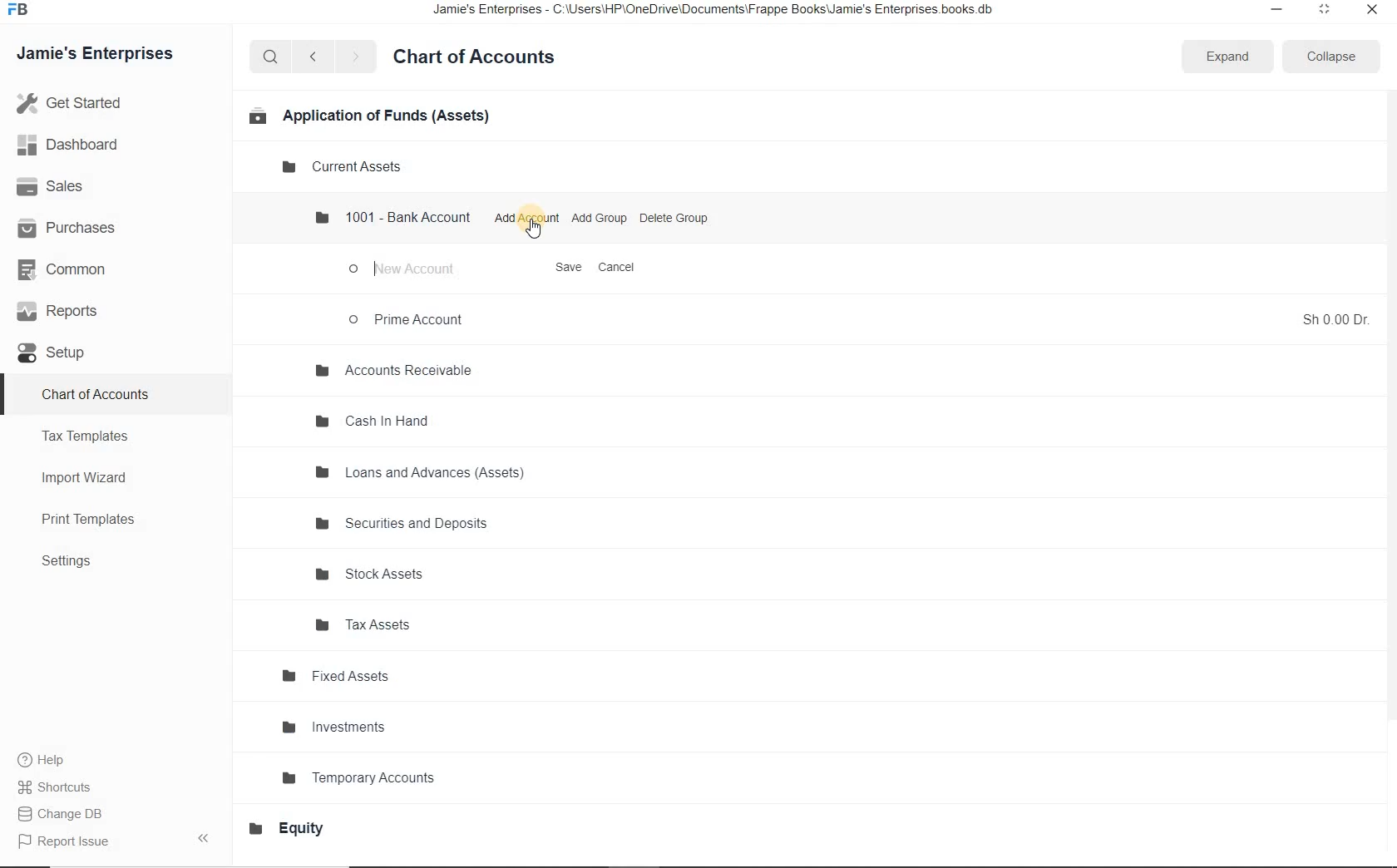 This screenshot has width=1397, height=868. Describe the element at coordinates (535, 230) in the screenshot. I see `cursor` at that location.